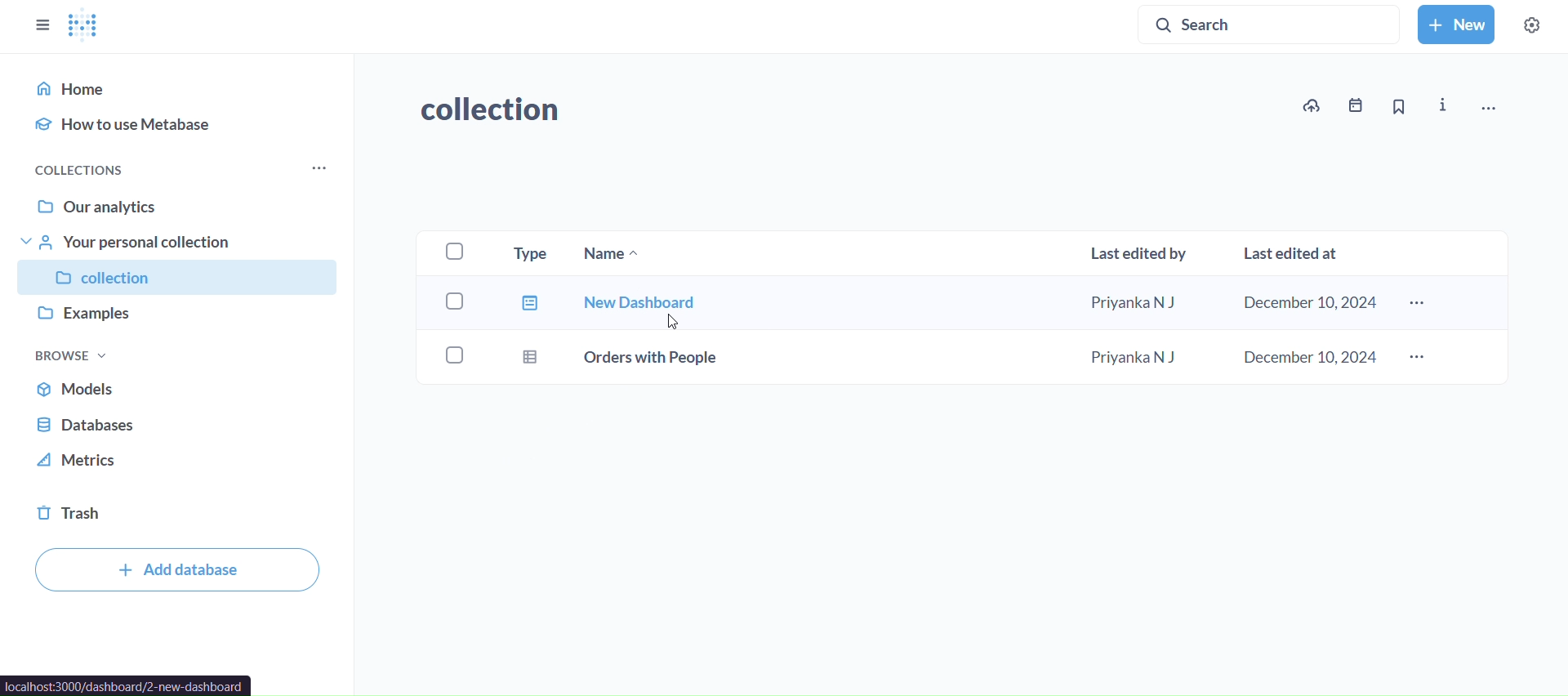  Describe the element at coordinates (186, 88) in the screenshot. I see `home` at that location.